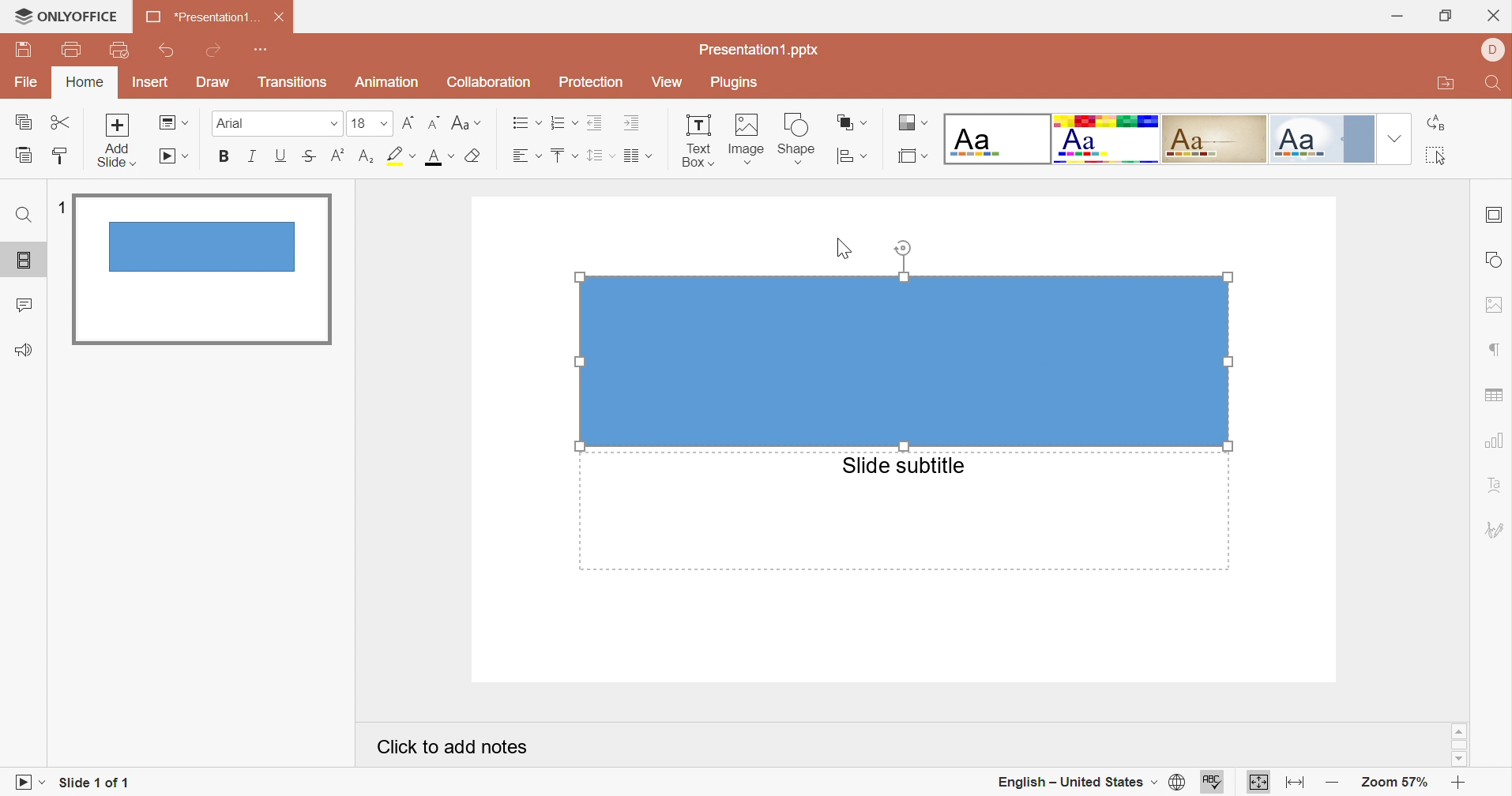 The height and width of the screenshot is (796, 1512). I want to click on Find, so click(22, 216).